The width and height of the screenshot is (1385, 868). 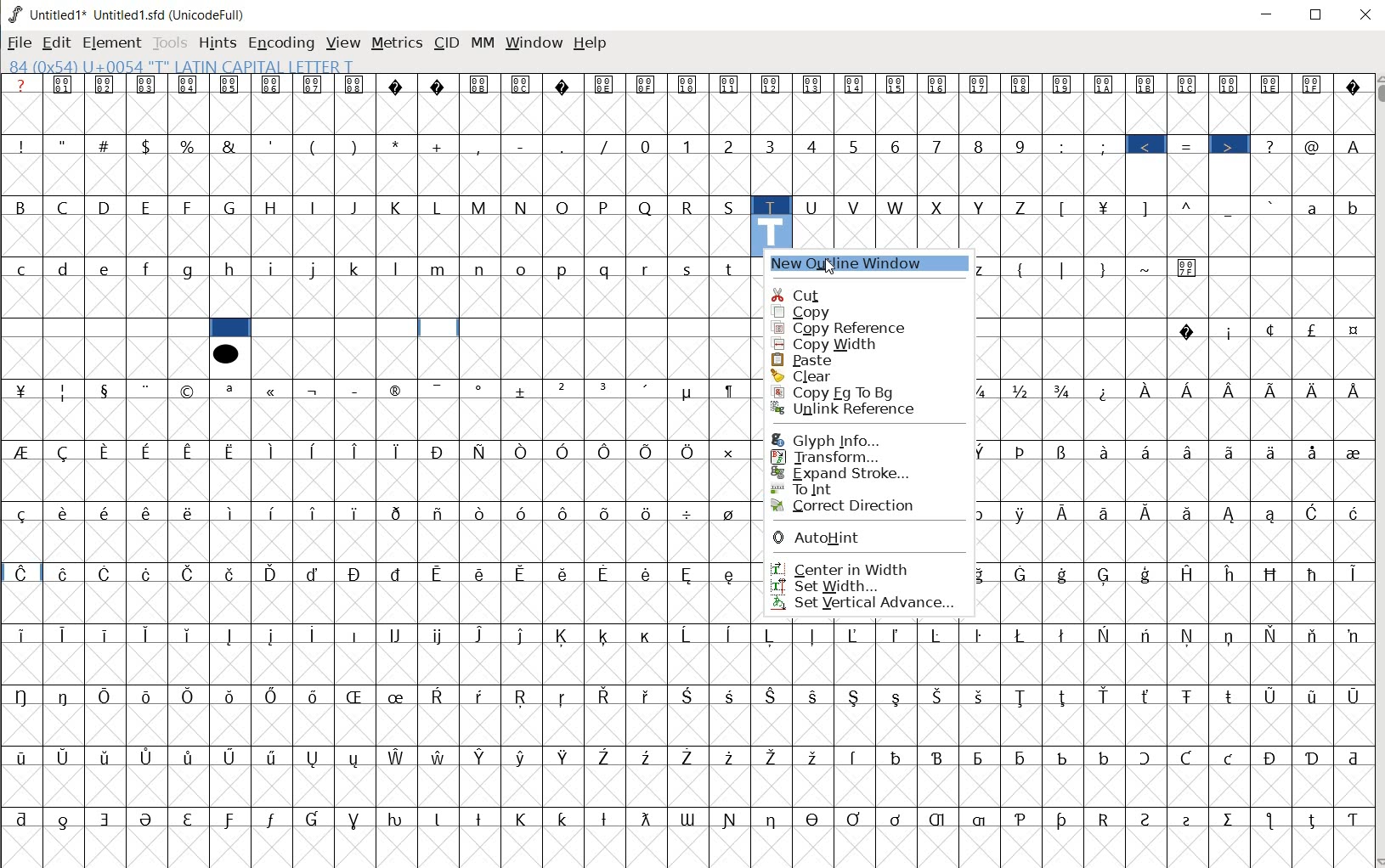 What do you see at coordinates (1352, 144) in the screenshot?
I see `A` at bounding box center [1352, 144].